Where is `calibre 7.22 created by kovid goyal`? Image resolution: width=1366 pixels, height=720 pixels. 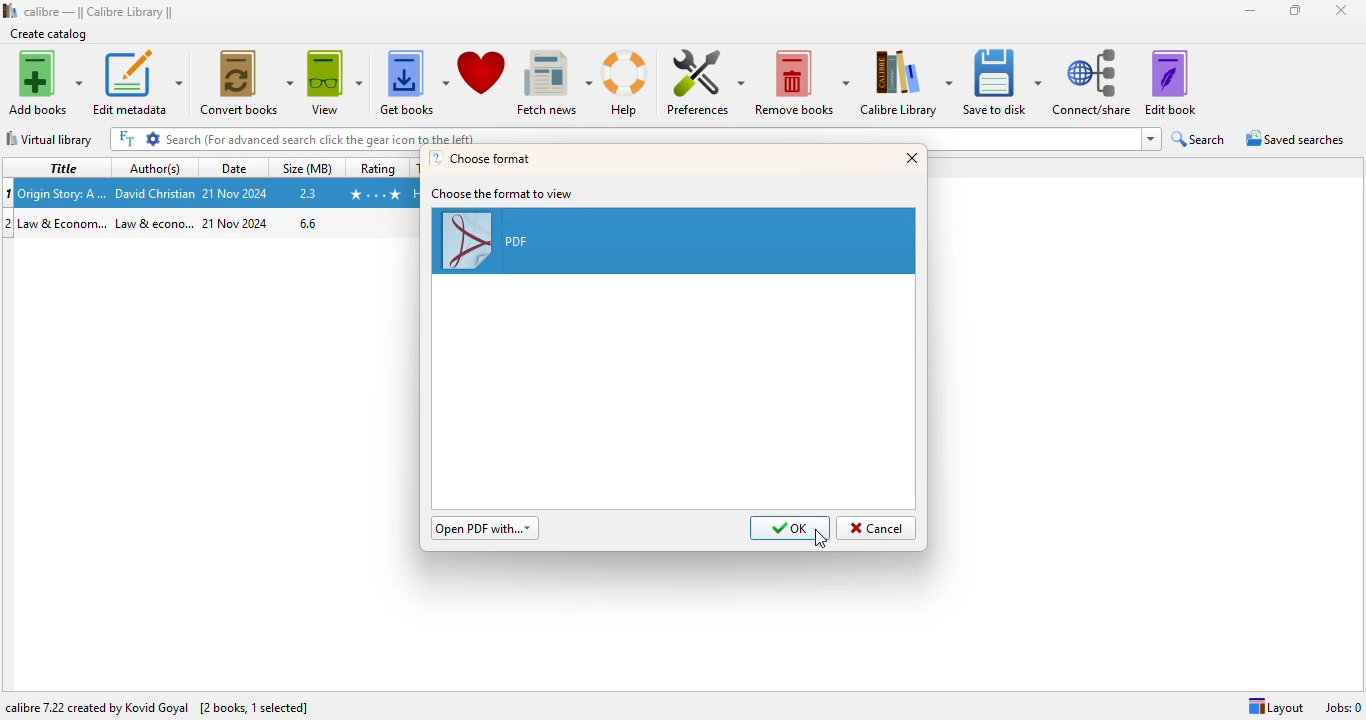
calibre 7.22 created by kovid goyal is located at coordinates (98, 708).